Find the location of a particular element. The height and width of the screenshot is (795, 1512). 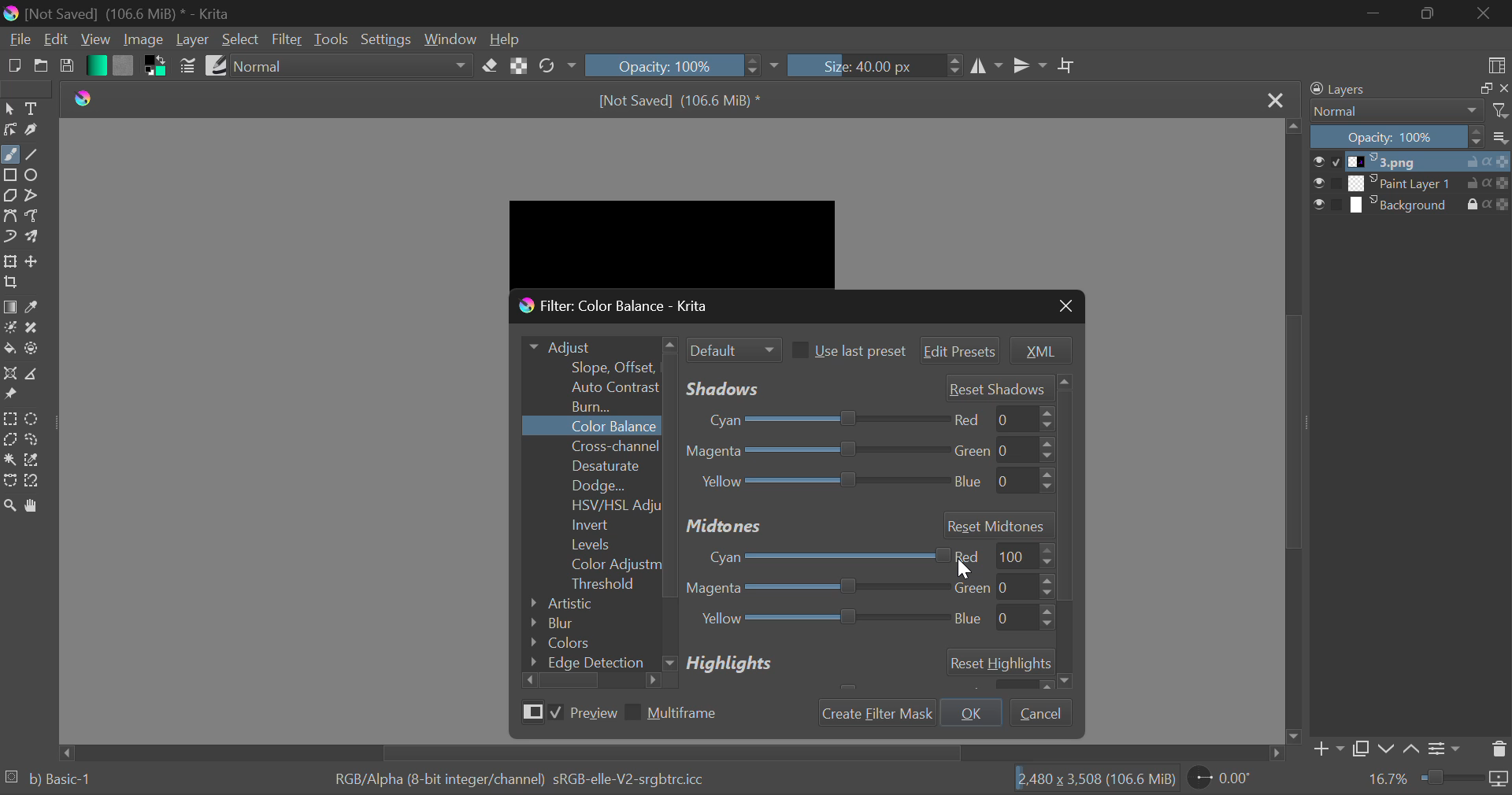

Opacity 100% is located at coordinates (684, 64).